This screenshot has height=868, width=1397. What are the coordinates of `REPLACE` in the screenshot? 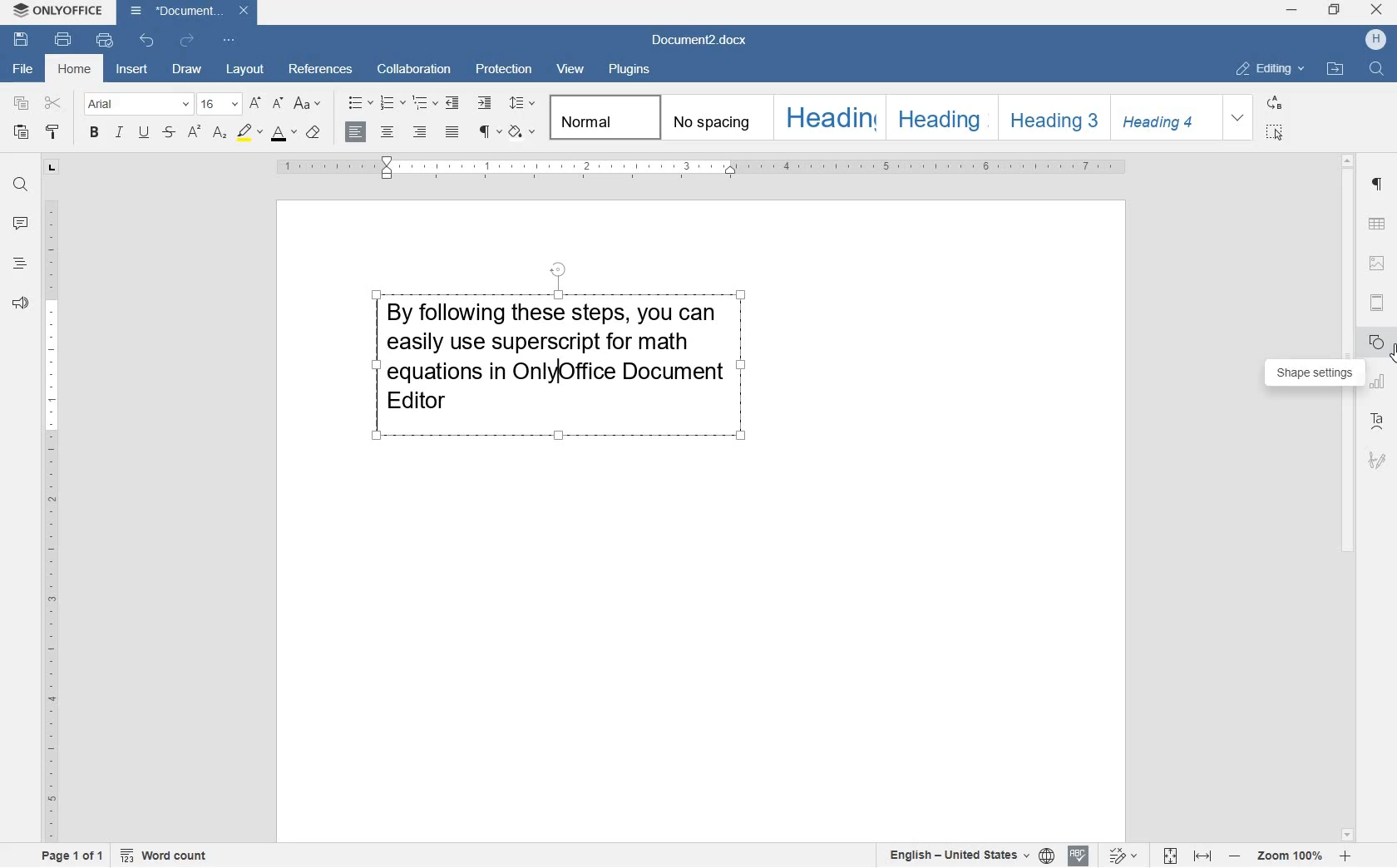 It's located at (1274, 102).